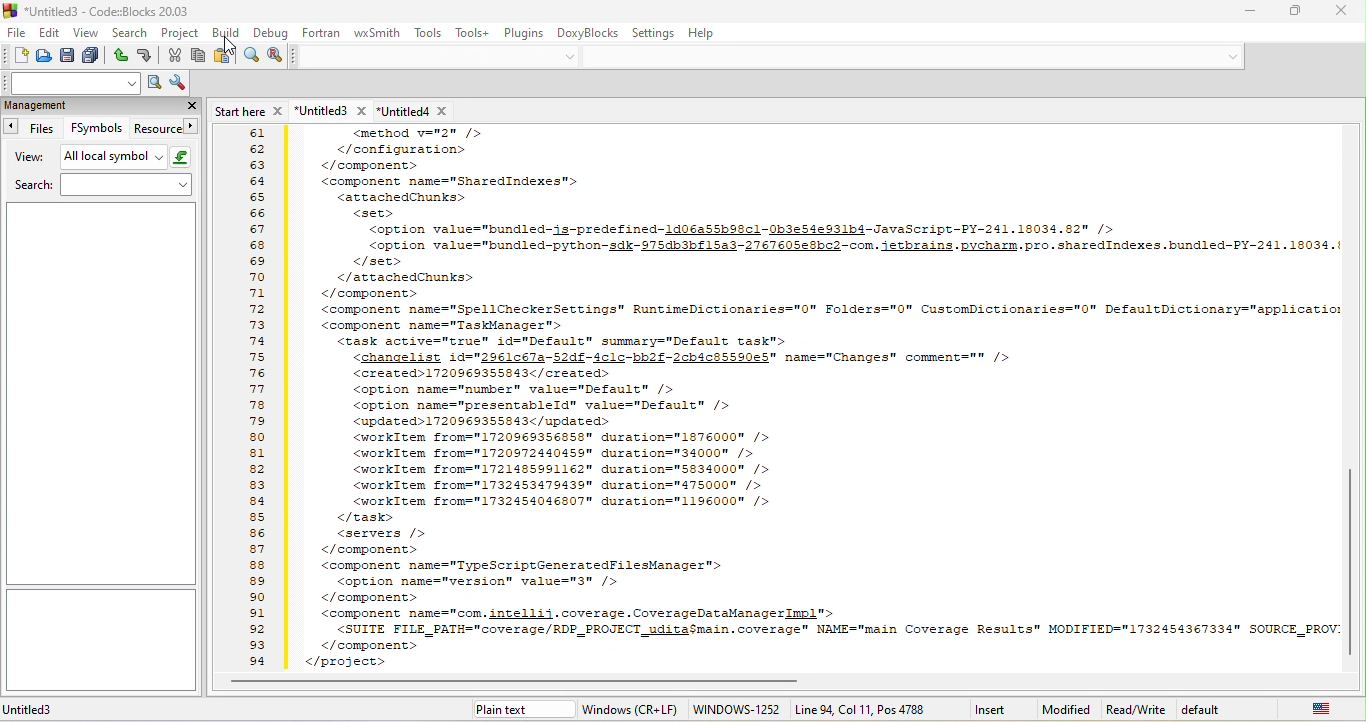 This screenshot has height=722, width=1366. Describe the element at coordinates (184, 106) in the screenshot. I see `close` at that location.